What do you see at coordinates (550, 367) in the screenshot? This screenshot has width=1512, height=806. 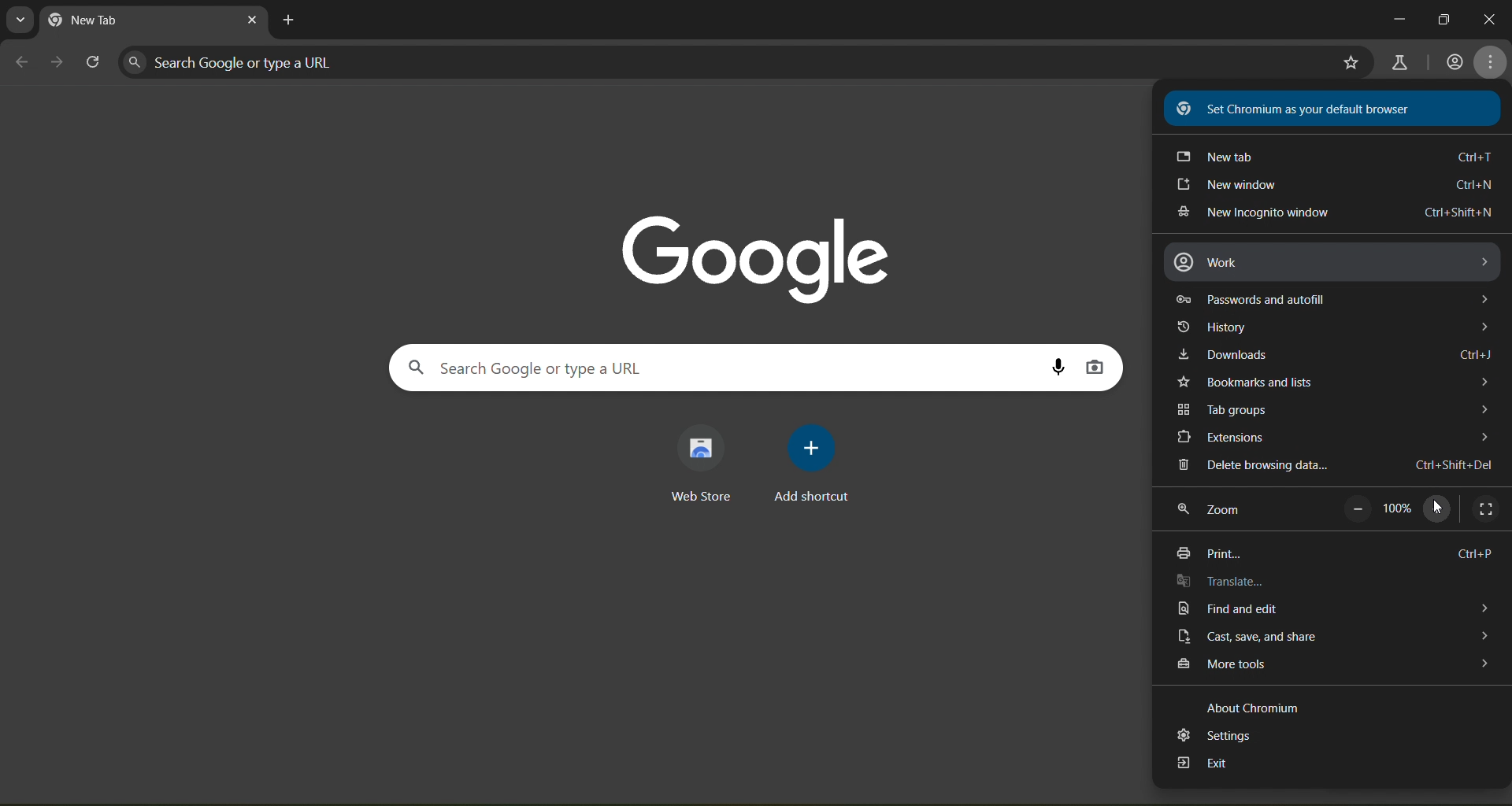 I see `search panel` at bounding box center [550, 367].